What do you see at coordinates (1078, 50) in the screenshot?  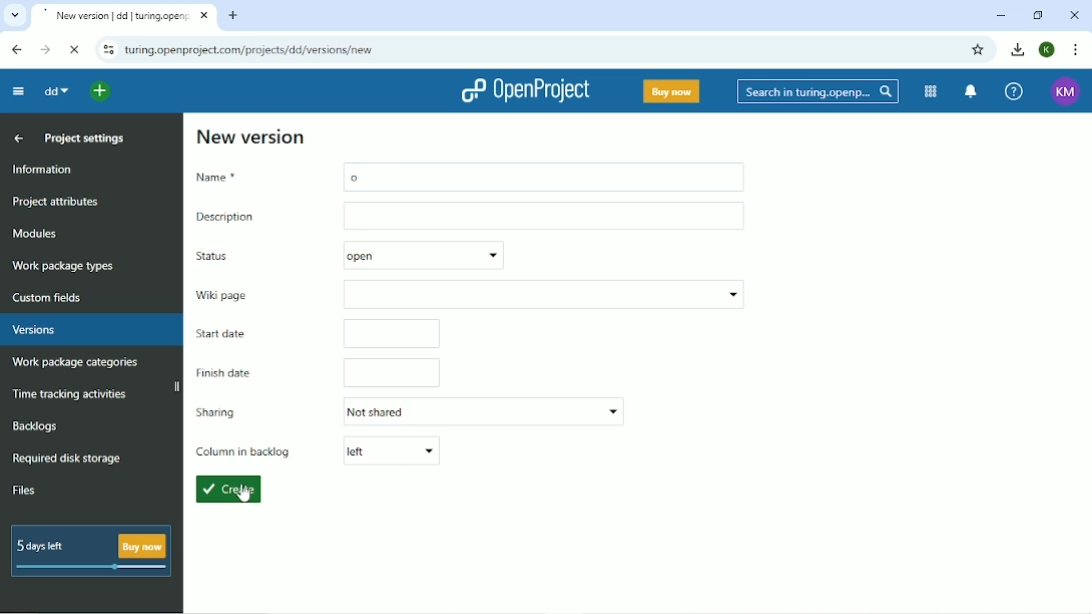 I see `Customize and control google chrome` at bounding box center [1078, 50].